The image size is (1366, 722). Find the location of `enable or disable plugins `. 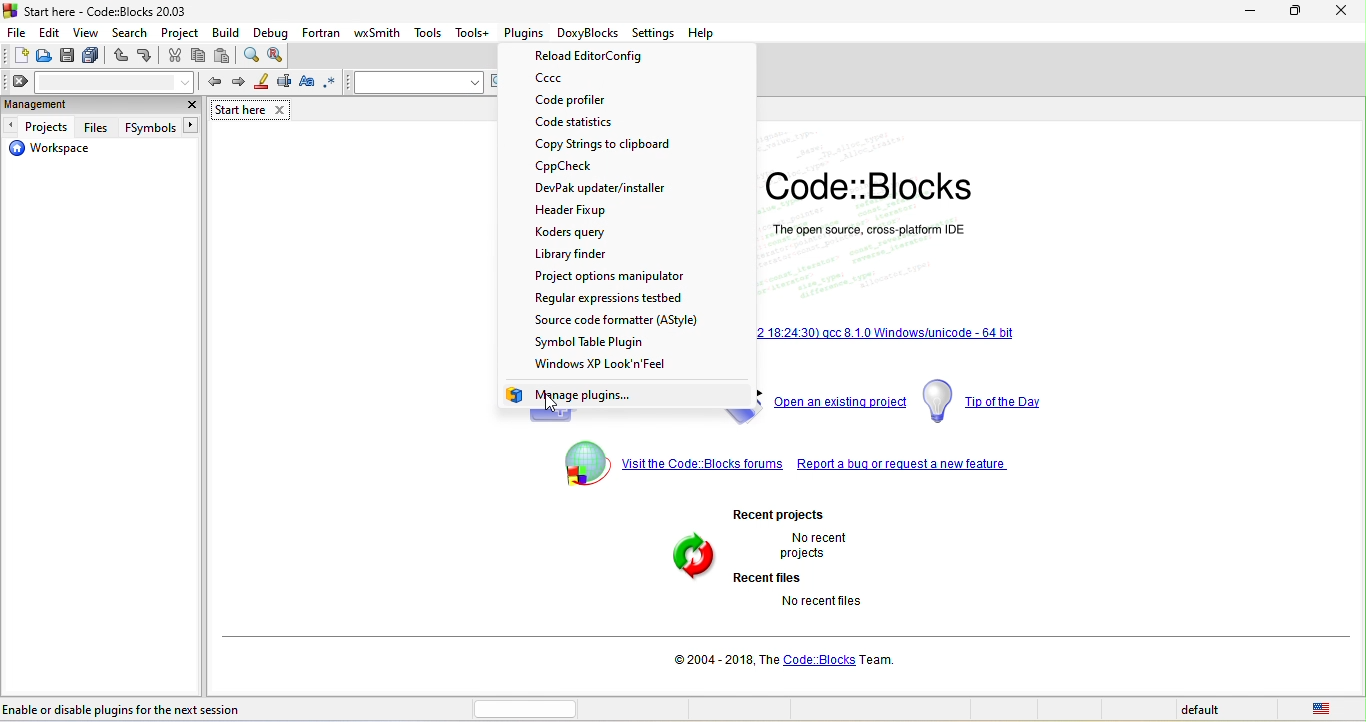

enable or disable plugins  is located at coordinates (124, 708).